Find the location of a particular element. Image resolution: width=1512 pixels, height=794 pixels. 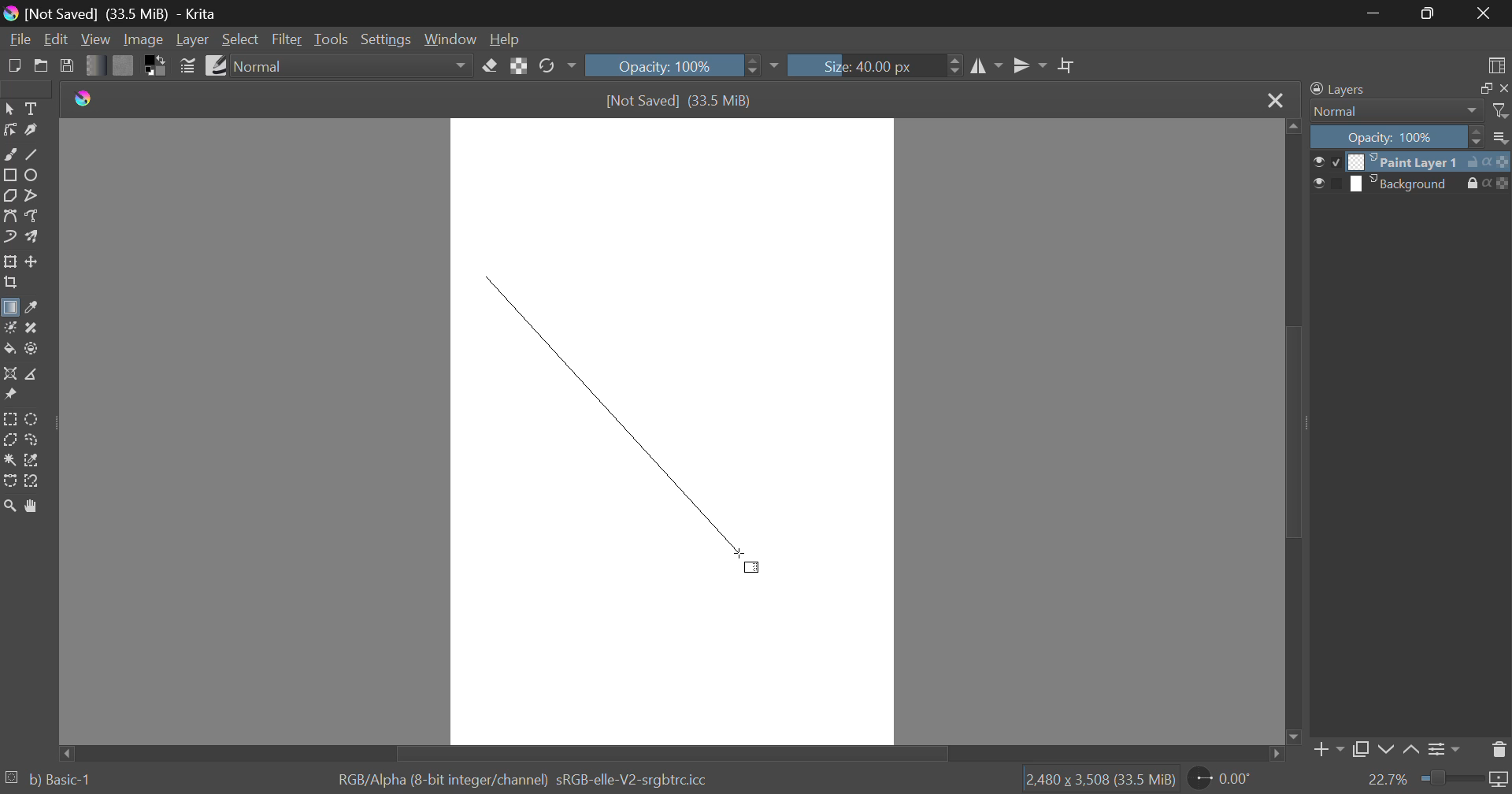

Pan is located at coordinates (30, 506).